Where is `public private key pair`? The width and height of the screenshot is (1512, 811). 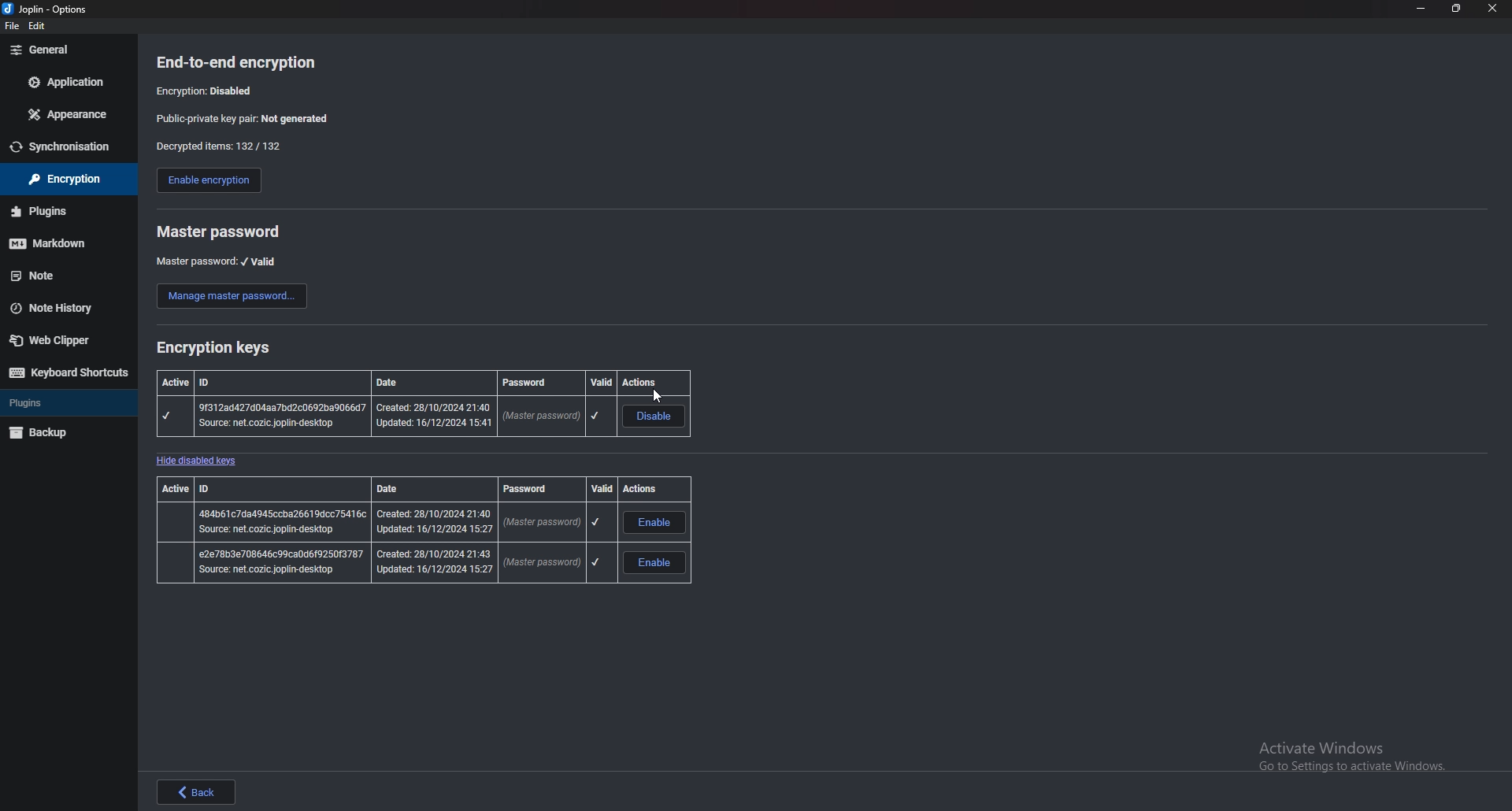 public private key pair is located at coordinates (240, 118).